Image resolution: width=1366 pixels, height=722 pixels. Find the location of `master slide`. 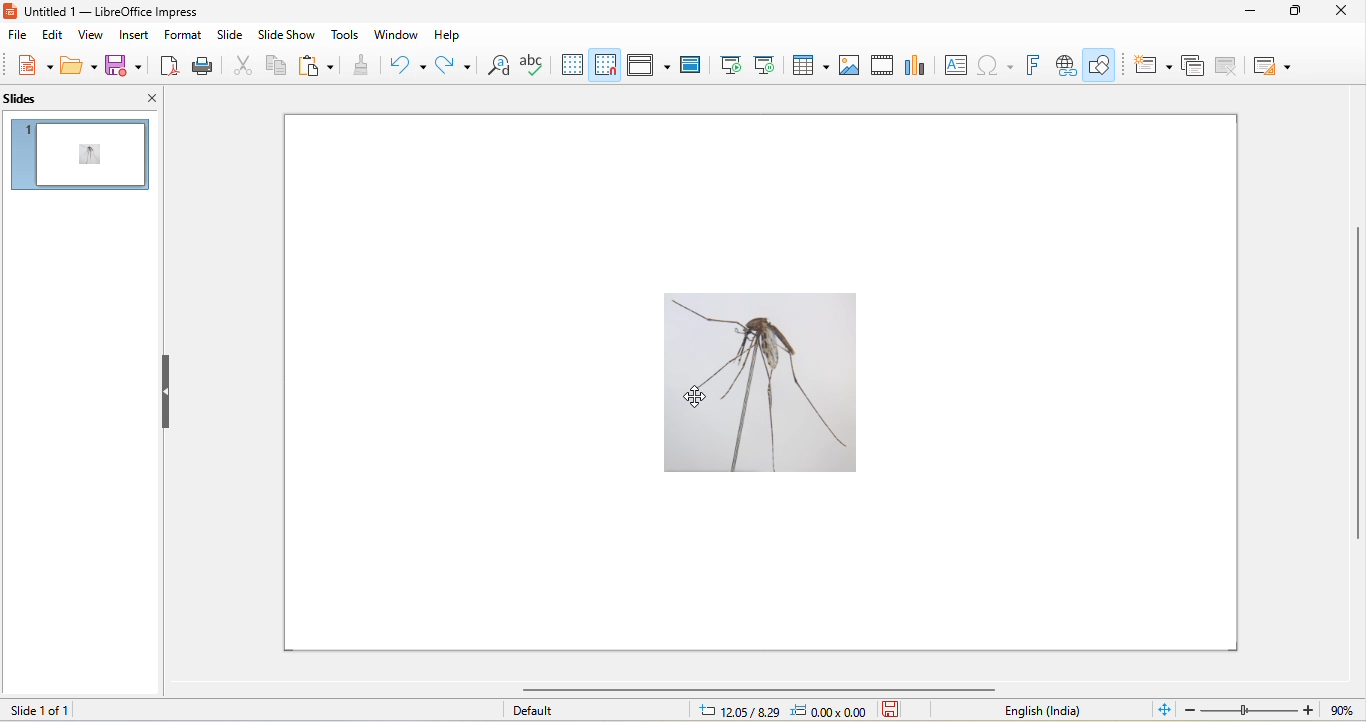

master slide is located at coordinates (690, 64).